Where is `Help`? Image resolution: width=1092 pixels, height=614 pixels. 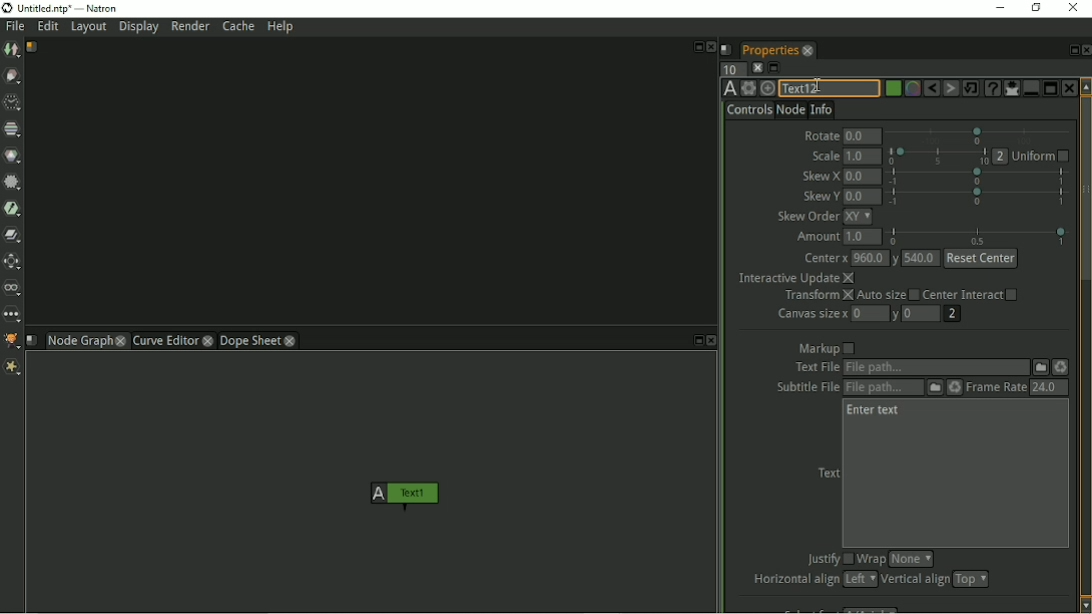 Help is located at coordinates (282, 28).